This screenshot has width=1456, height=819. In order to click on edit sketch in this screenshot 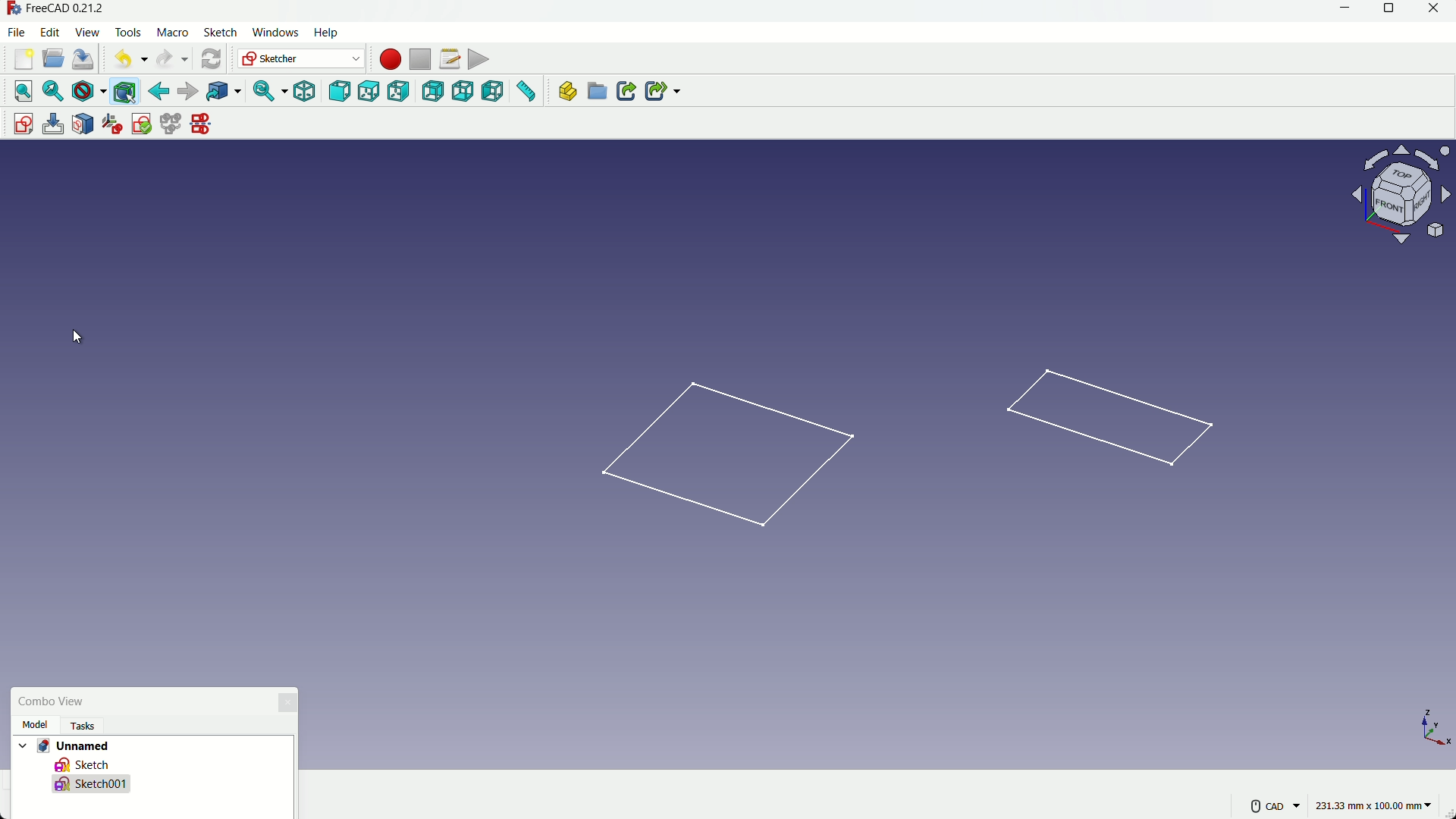, I will do `click(54, 124)`.